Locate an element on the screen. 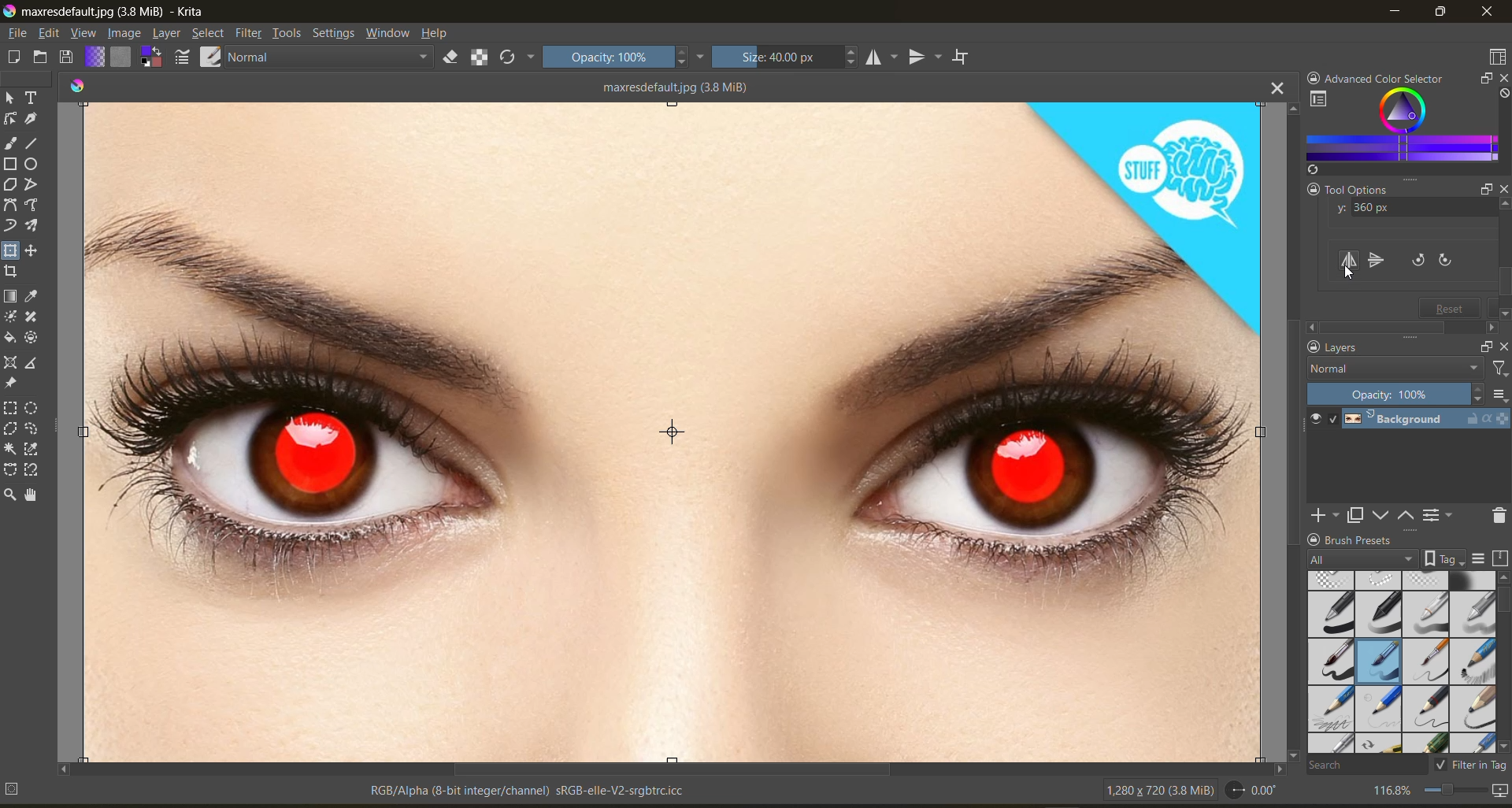  save is located at coordinates (69, 57).